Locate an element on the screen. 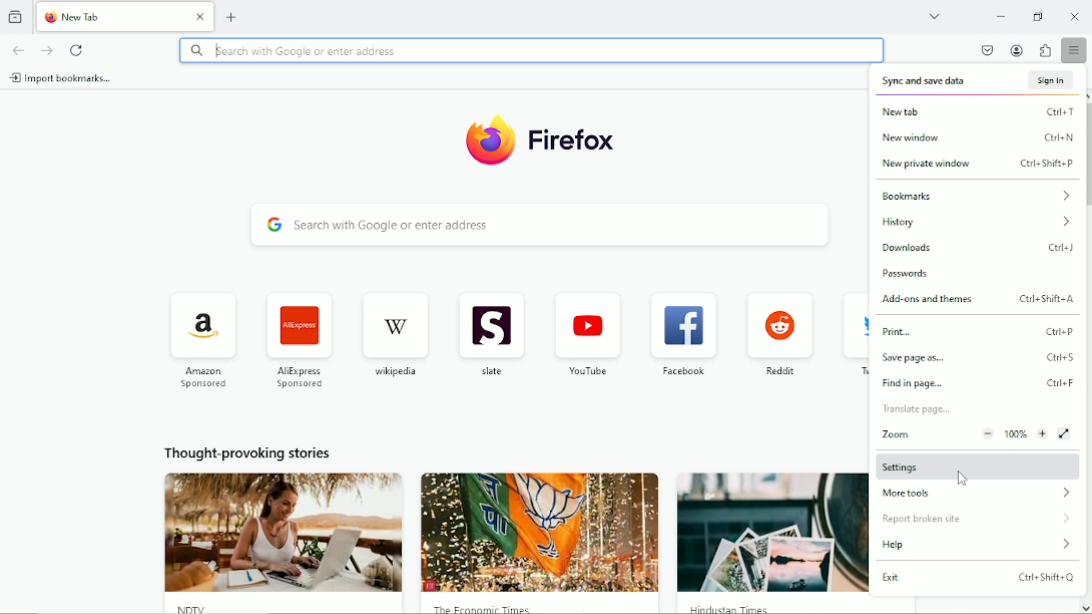 The width and height of the screenshot is (1092, 614). exit is located at coordinates (978, 577).